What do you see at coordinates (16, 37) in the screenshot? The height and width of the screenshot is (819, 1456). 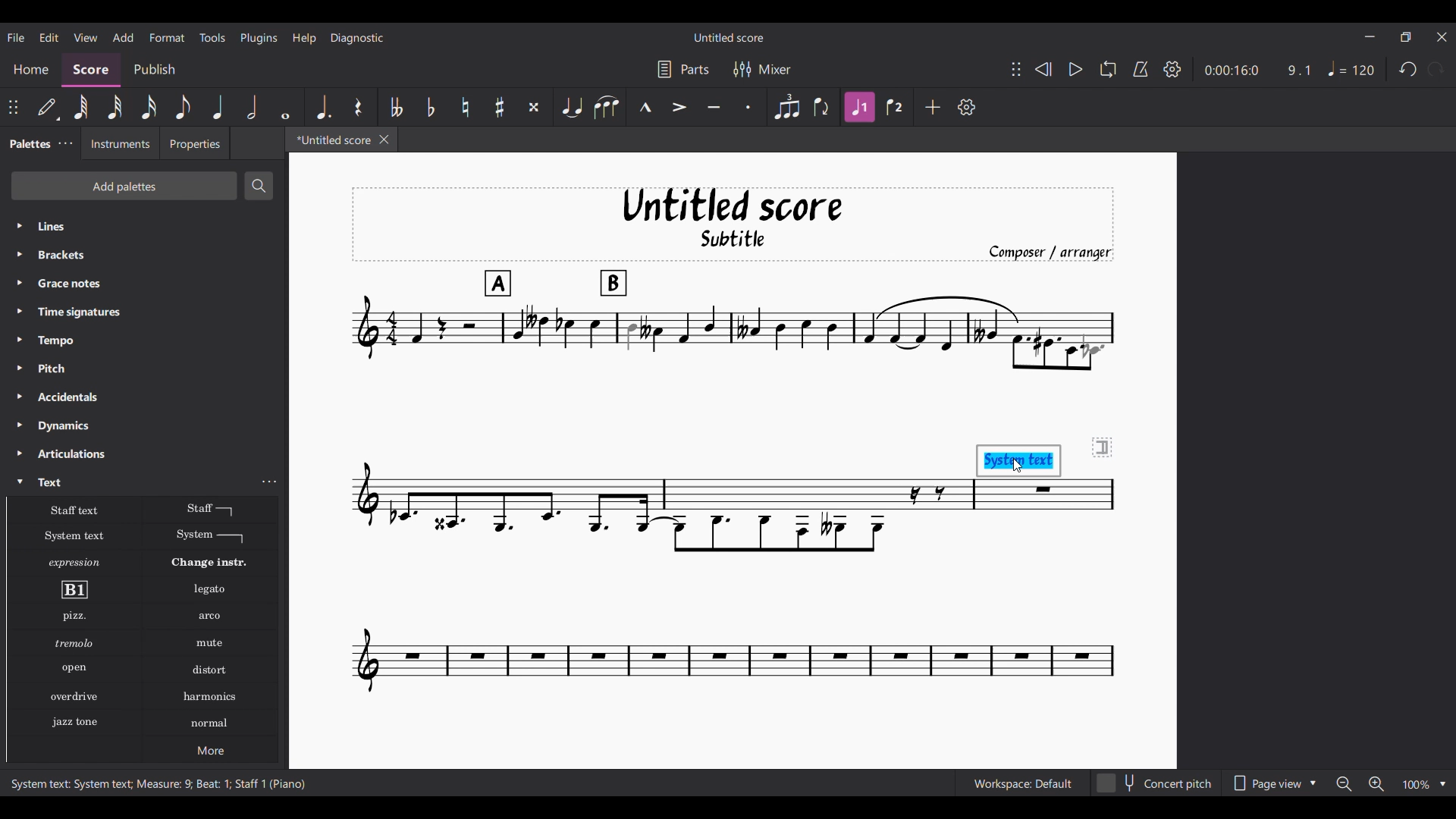 I see `File menu` at bounding box center [16, 37].